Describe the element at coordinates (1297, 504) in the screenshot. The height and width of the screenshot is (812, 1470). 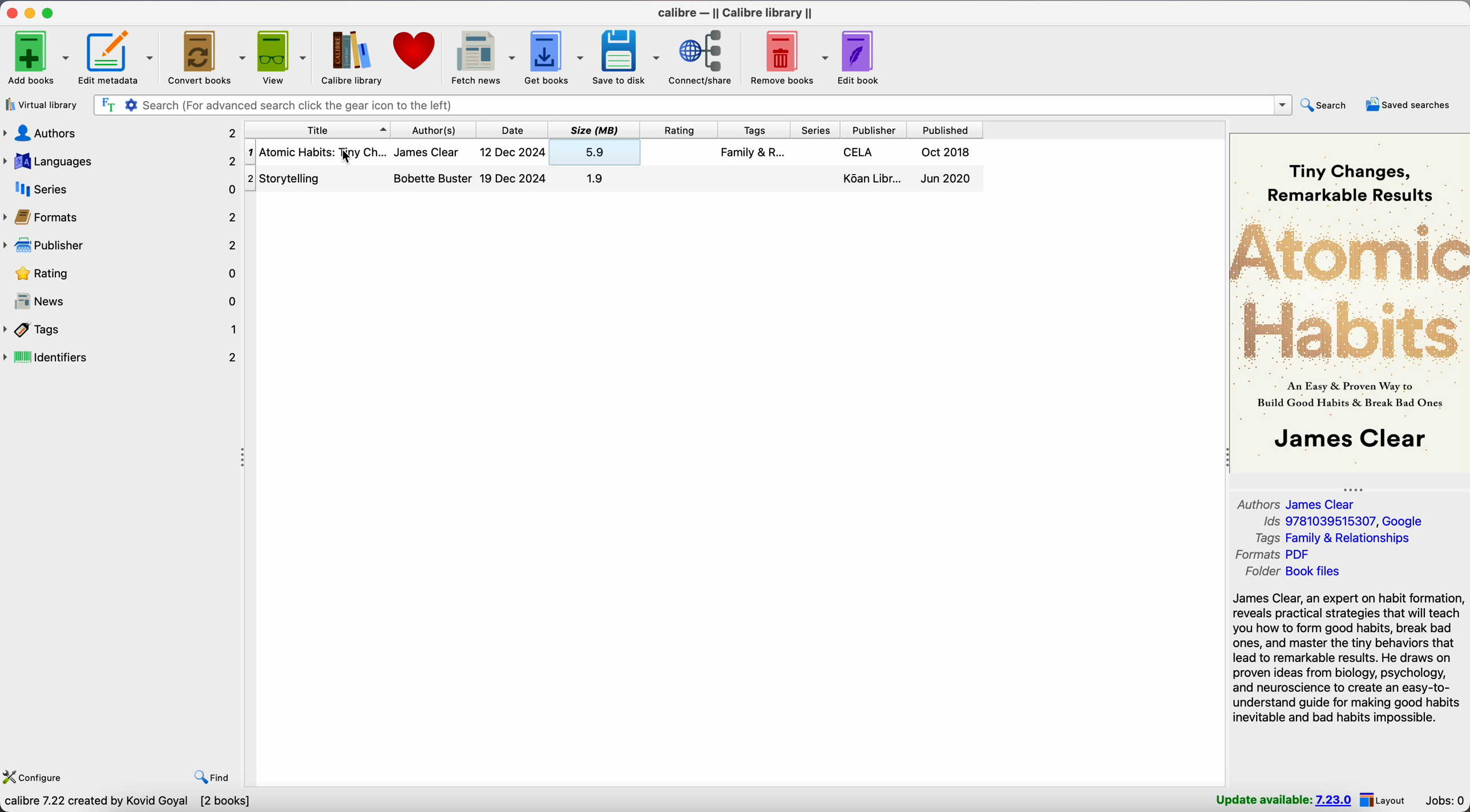
I see `authors James Clear` at that location.